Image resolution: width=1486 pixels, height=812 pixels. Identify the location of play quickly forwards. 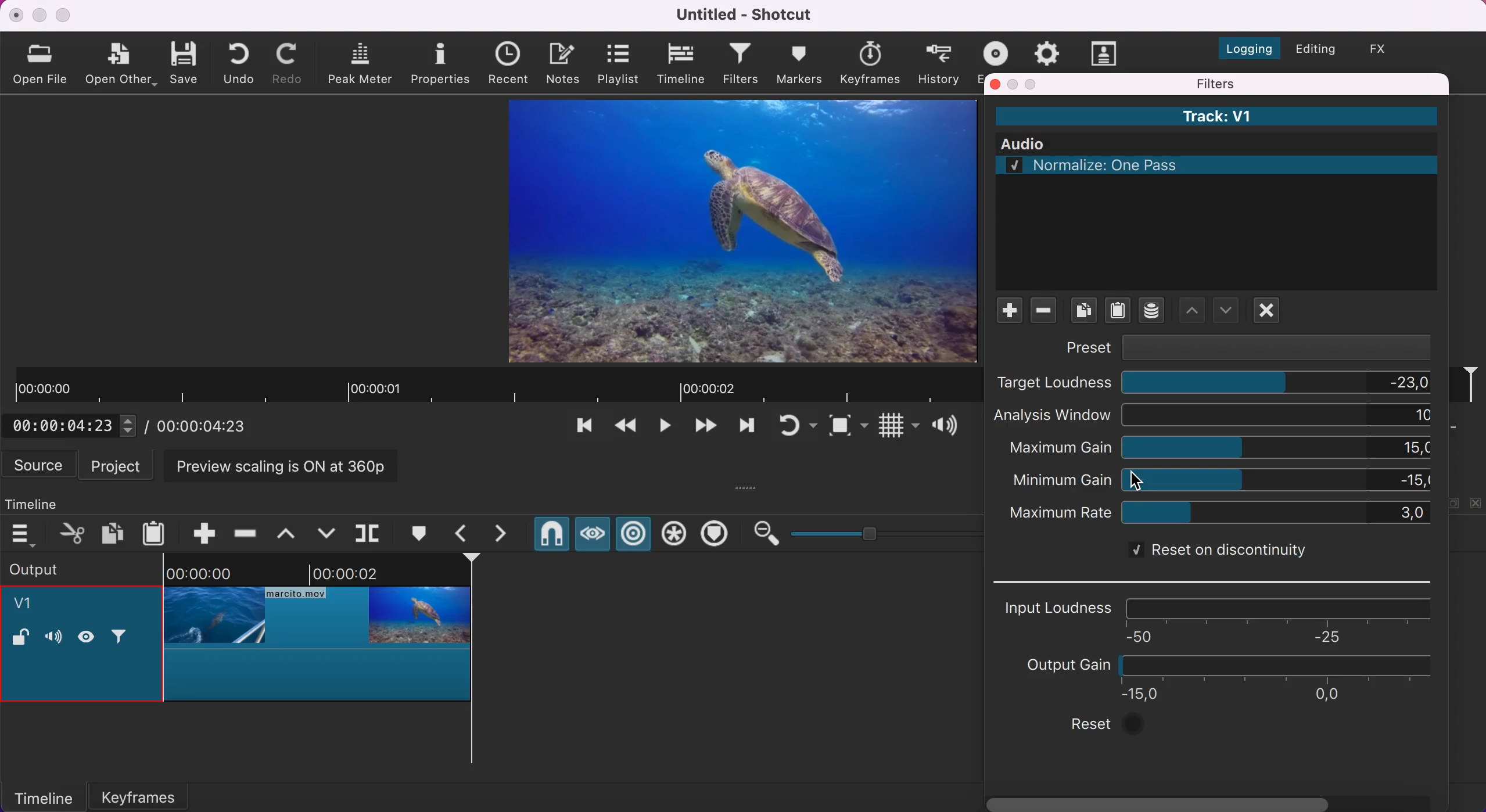
(745, 429).